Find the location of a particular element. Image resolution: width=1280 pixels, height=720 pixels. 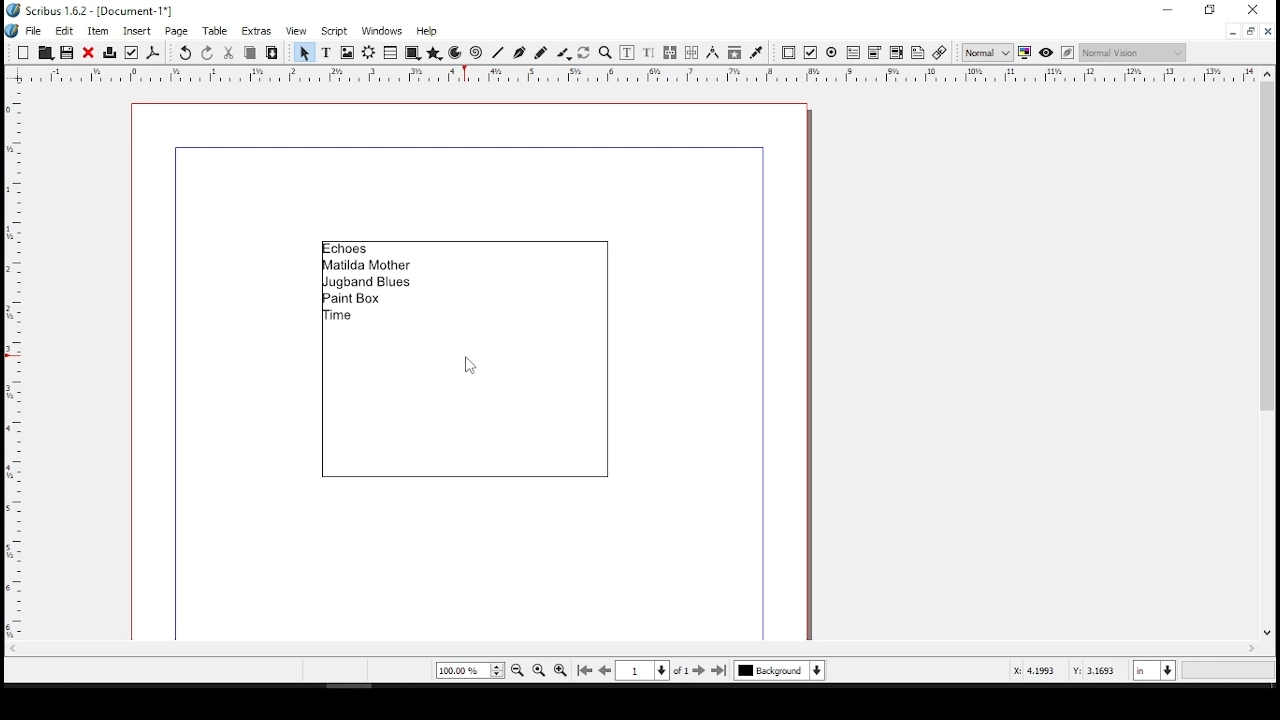

rotate item is located at coordinates (585, 52).